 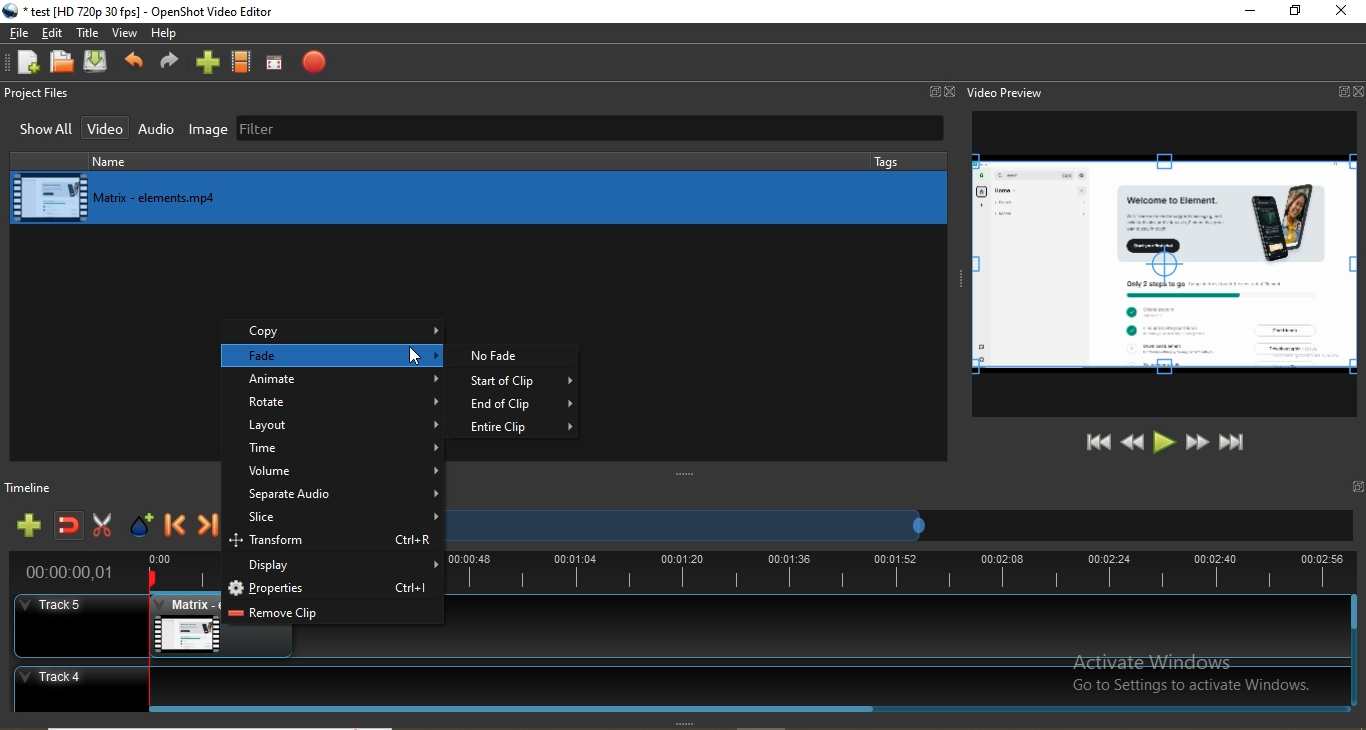 I want to click on Enable razor, so click(x=106, y=528).